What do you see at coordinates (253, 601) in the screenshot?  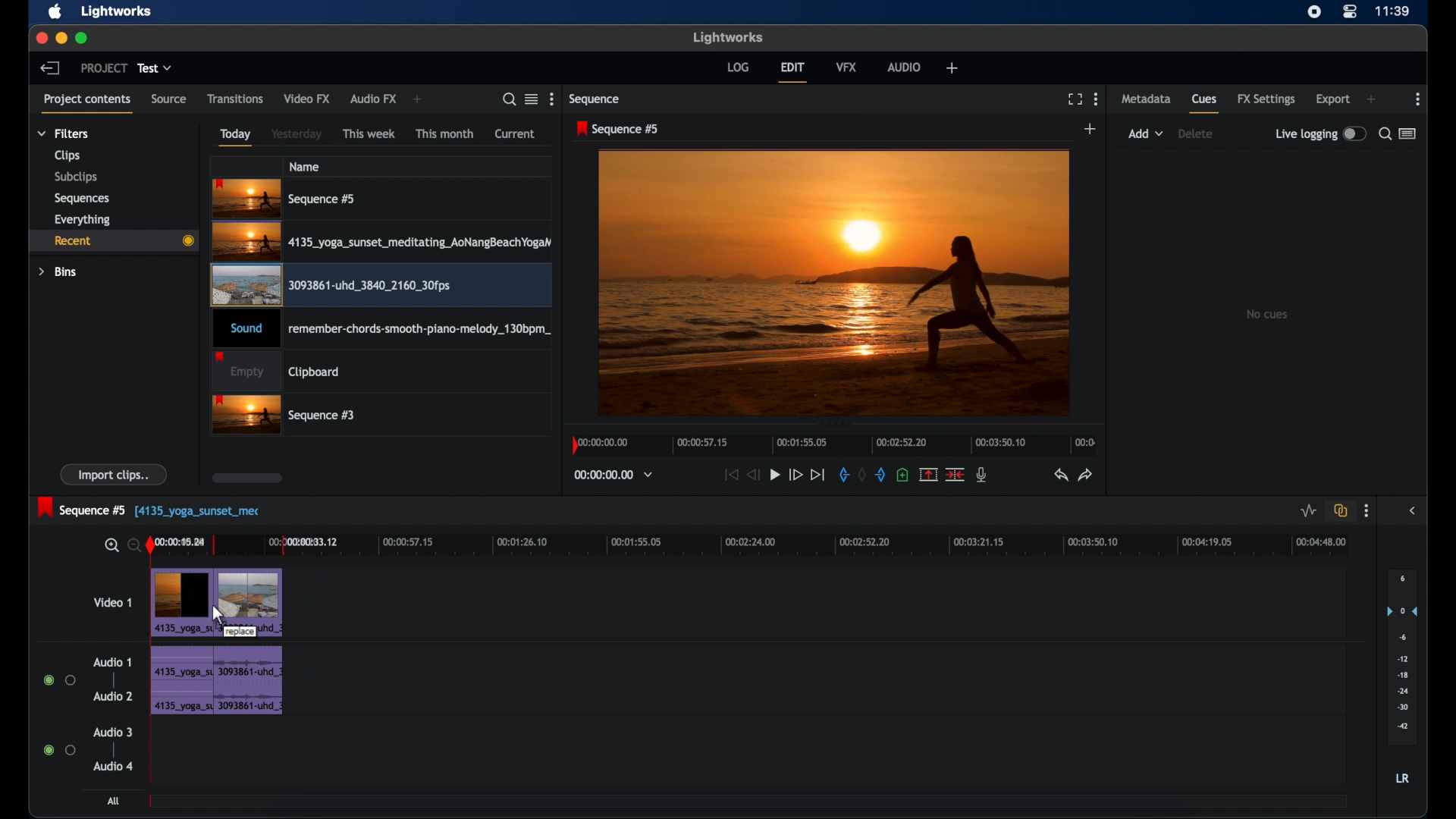 I see `video clip` at bounding box center [253, 601].